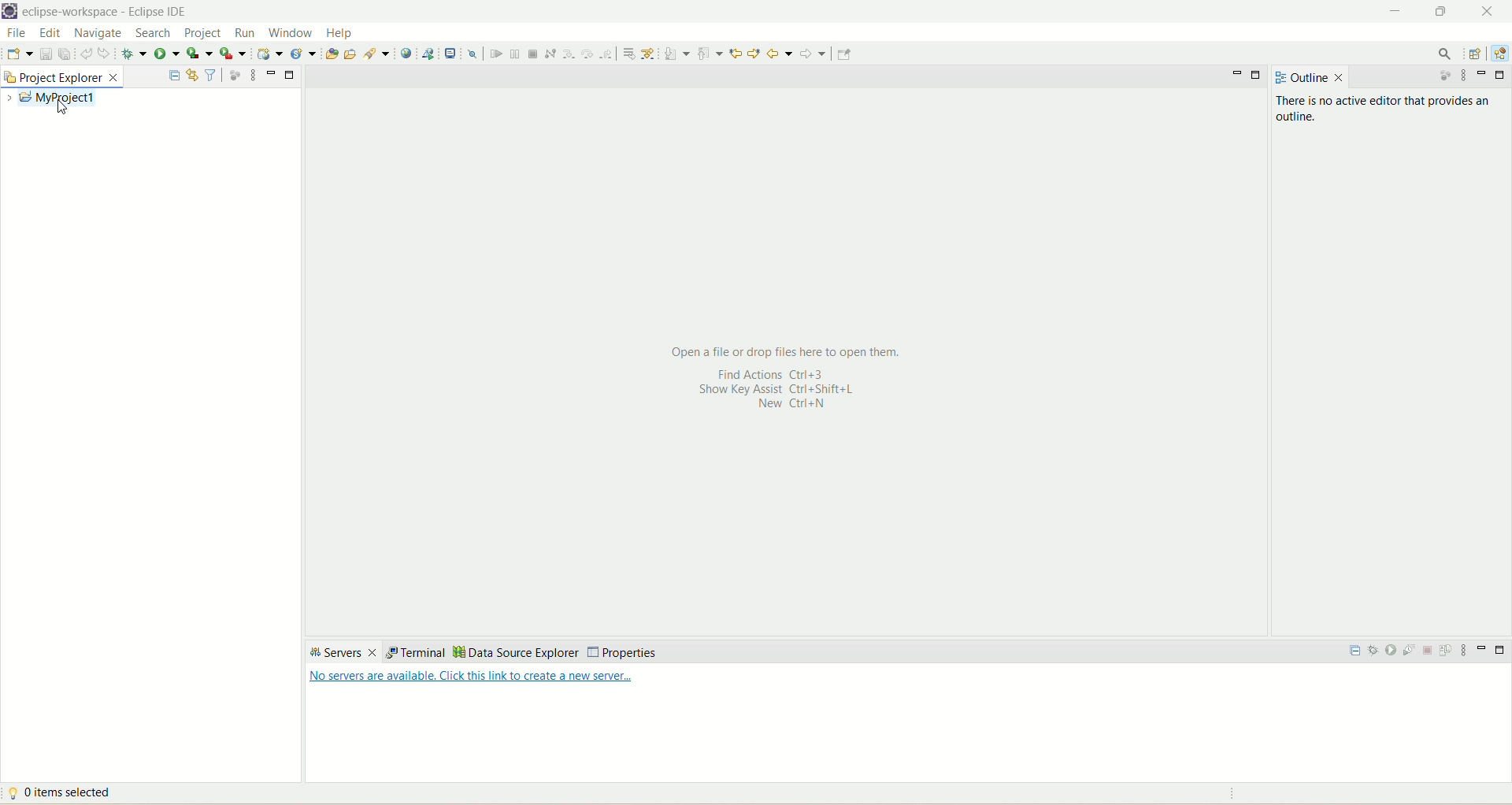 This screenshot has width=1512, height=805. Describe the element at coordinates (1443, 53) in the screenshot. I see `search` at that location.